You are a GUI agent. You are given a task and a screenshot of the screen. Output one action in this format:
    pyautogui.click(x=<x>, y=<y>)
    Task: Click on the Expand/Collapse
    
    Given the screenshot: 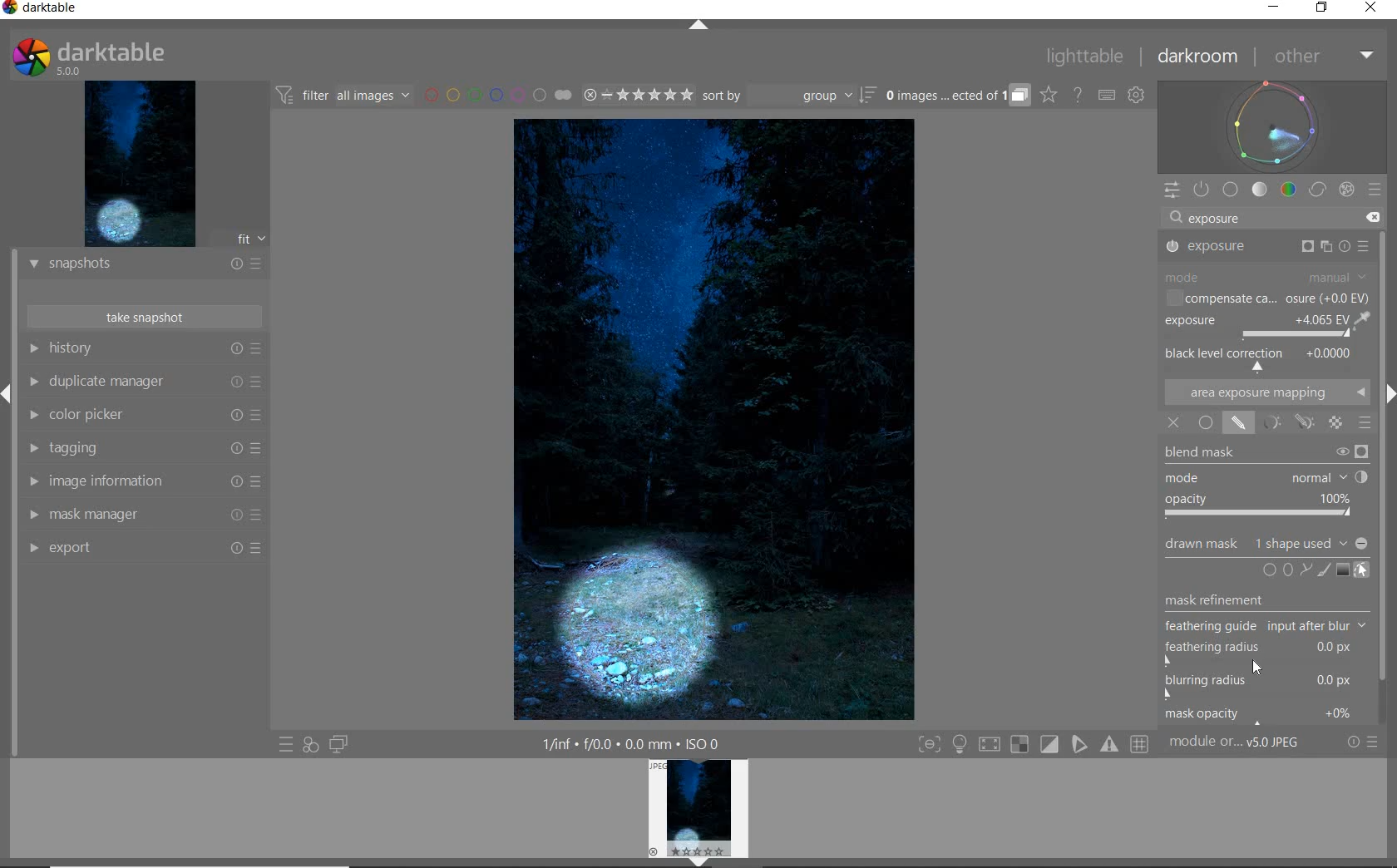 What is the action you would take?
    pyautogui.click(x=8, y=392)
    